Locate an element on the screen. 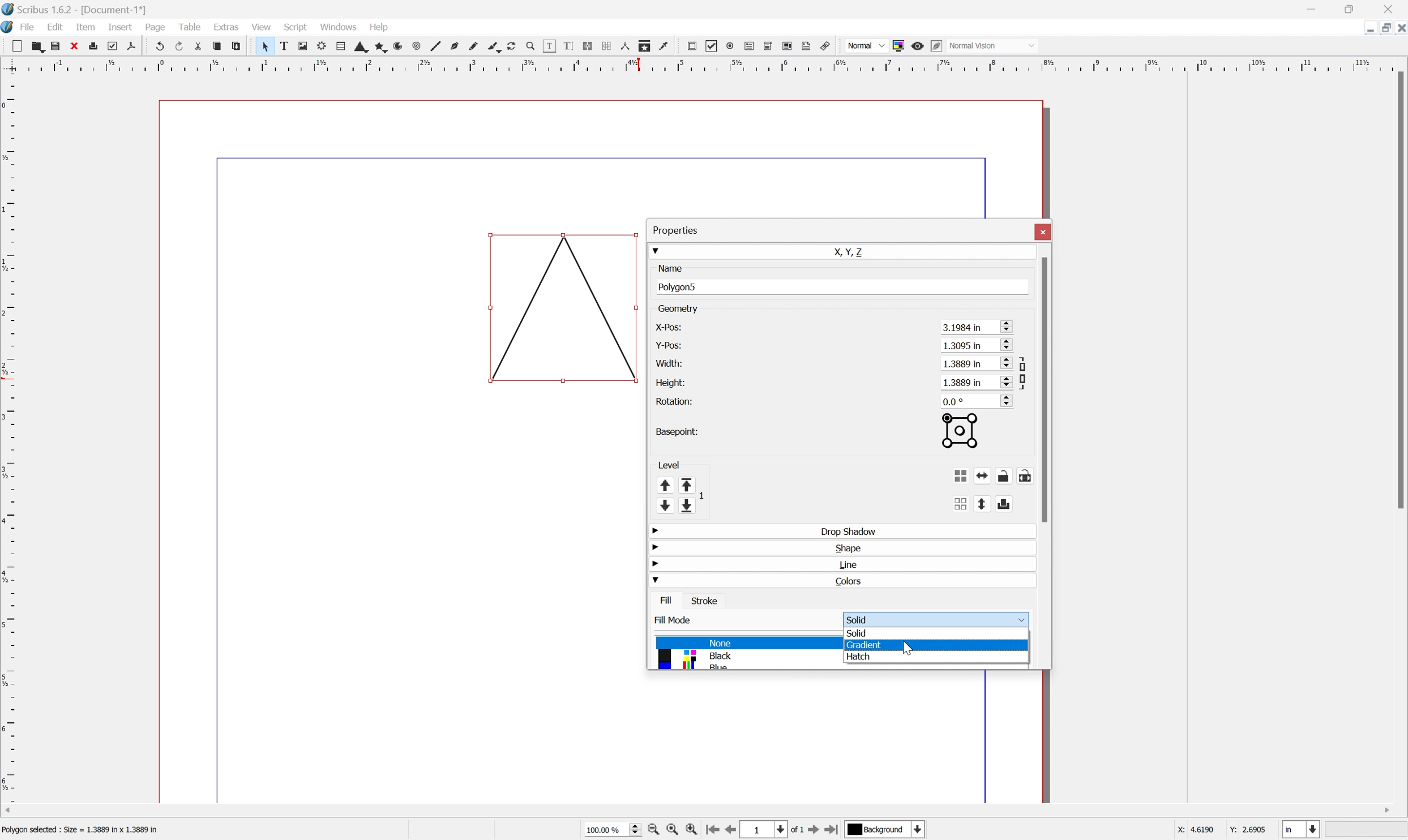 The height and width of the screenshot is (840, 1408). Zoom out by stepping values in Tools preferences is located at coordinates (654, 830).